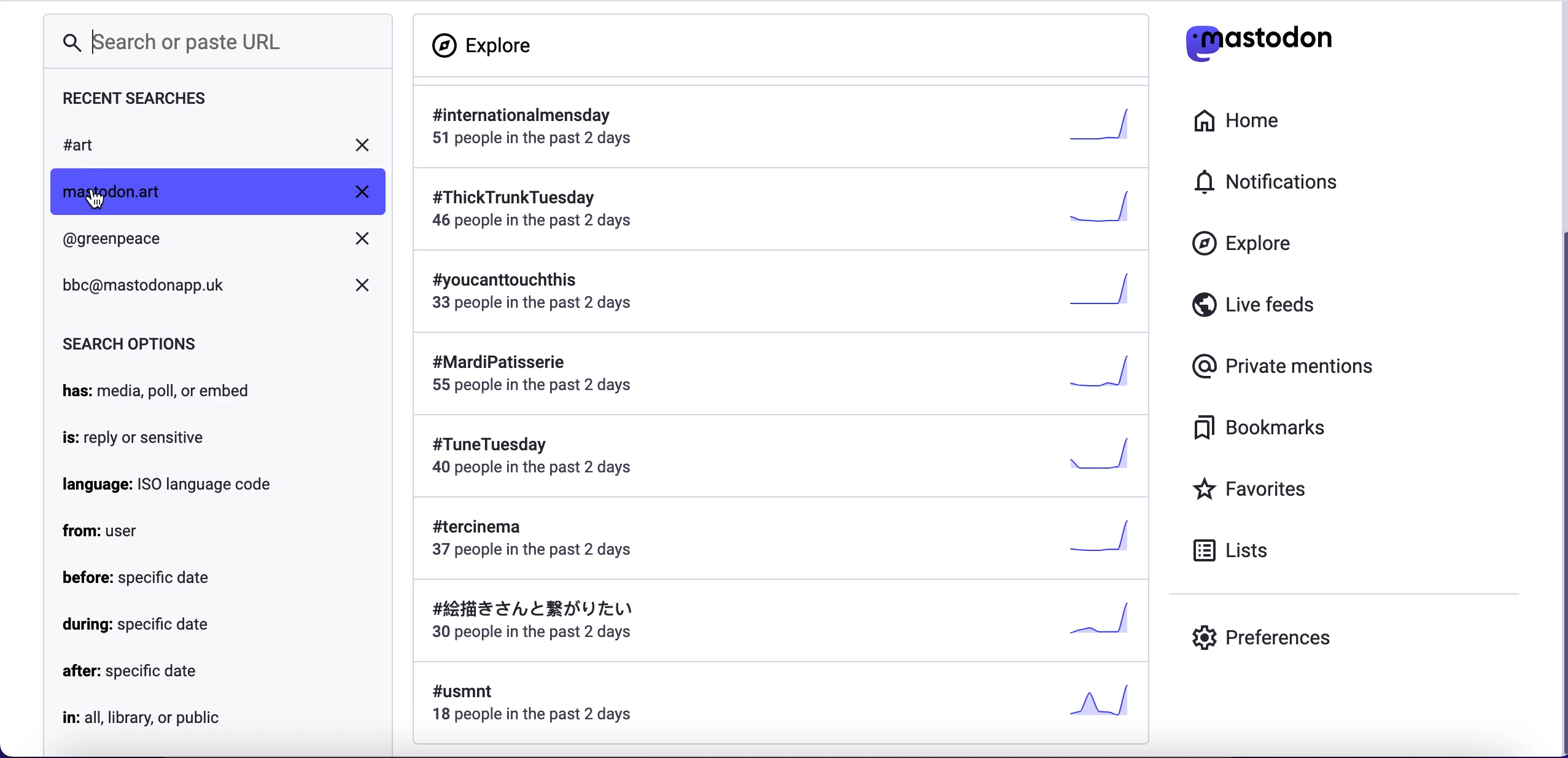 This screenshot has width=1568, height=758. What do you see at coordinates (778, 539) in the screenshot?
I see `#tercinema` at bounding box center [778, 539].